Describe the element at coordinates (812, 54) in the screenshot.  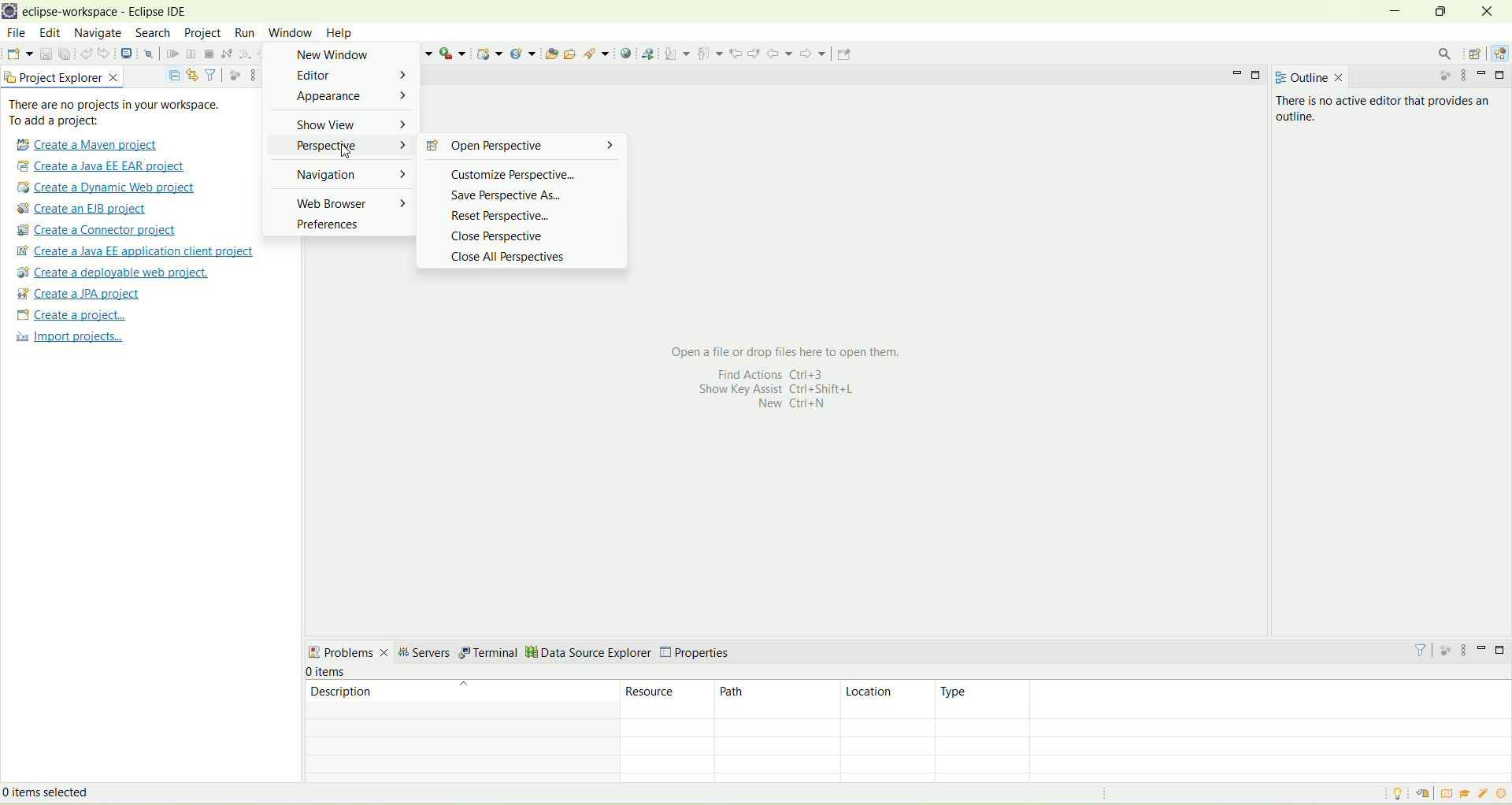
I see `forward` at that location.